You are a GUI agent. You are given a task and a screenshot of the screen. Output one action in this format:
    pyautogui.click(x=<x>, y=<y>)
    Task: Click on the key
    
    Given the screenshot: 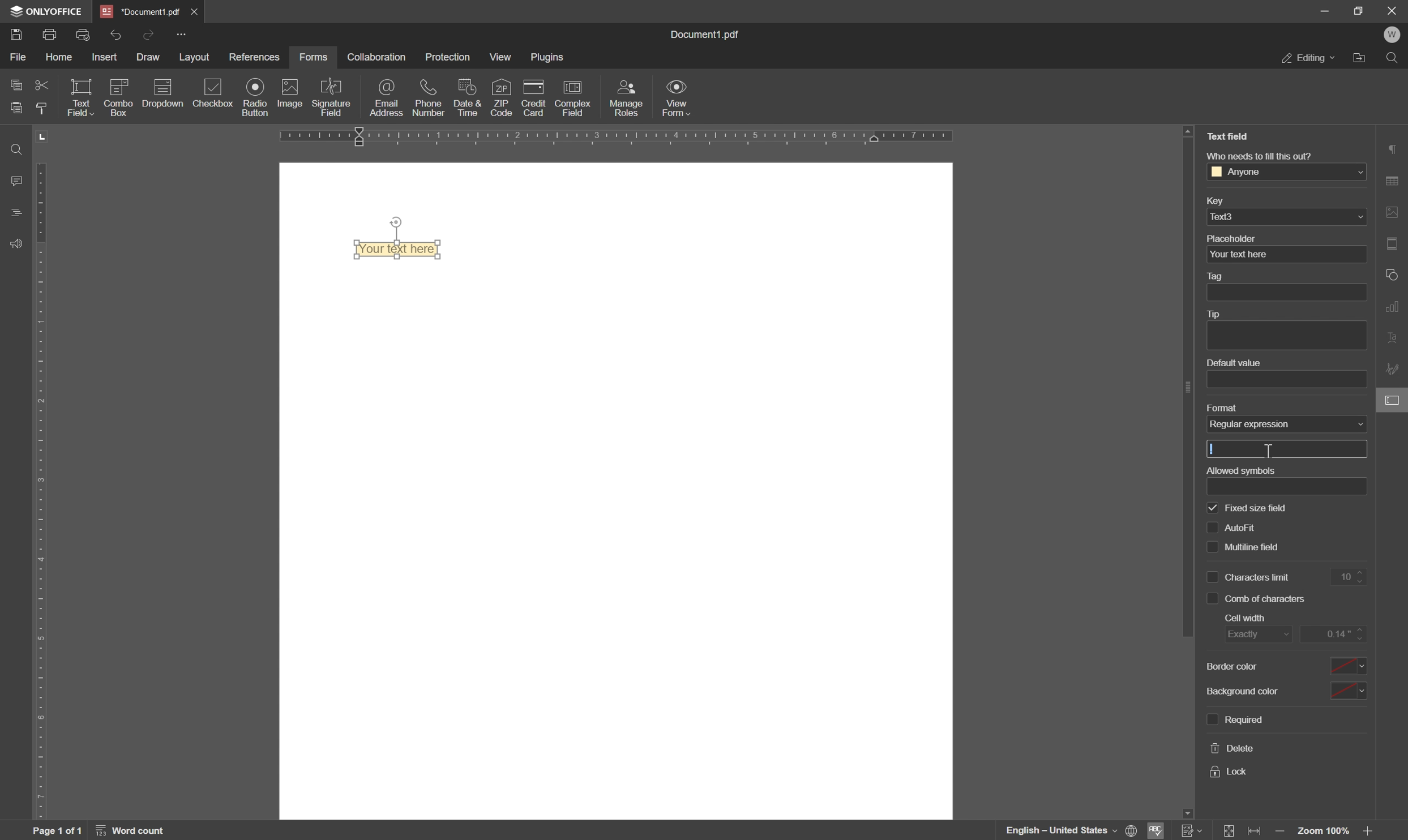 What is the action you would take?
    pyautogui.click(x=1213, y=202)
    